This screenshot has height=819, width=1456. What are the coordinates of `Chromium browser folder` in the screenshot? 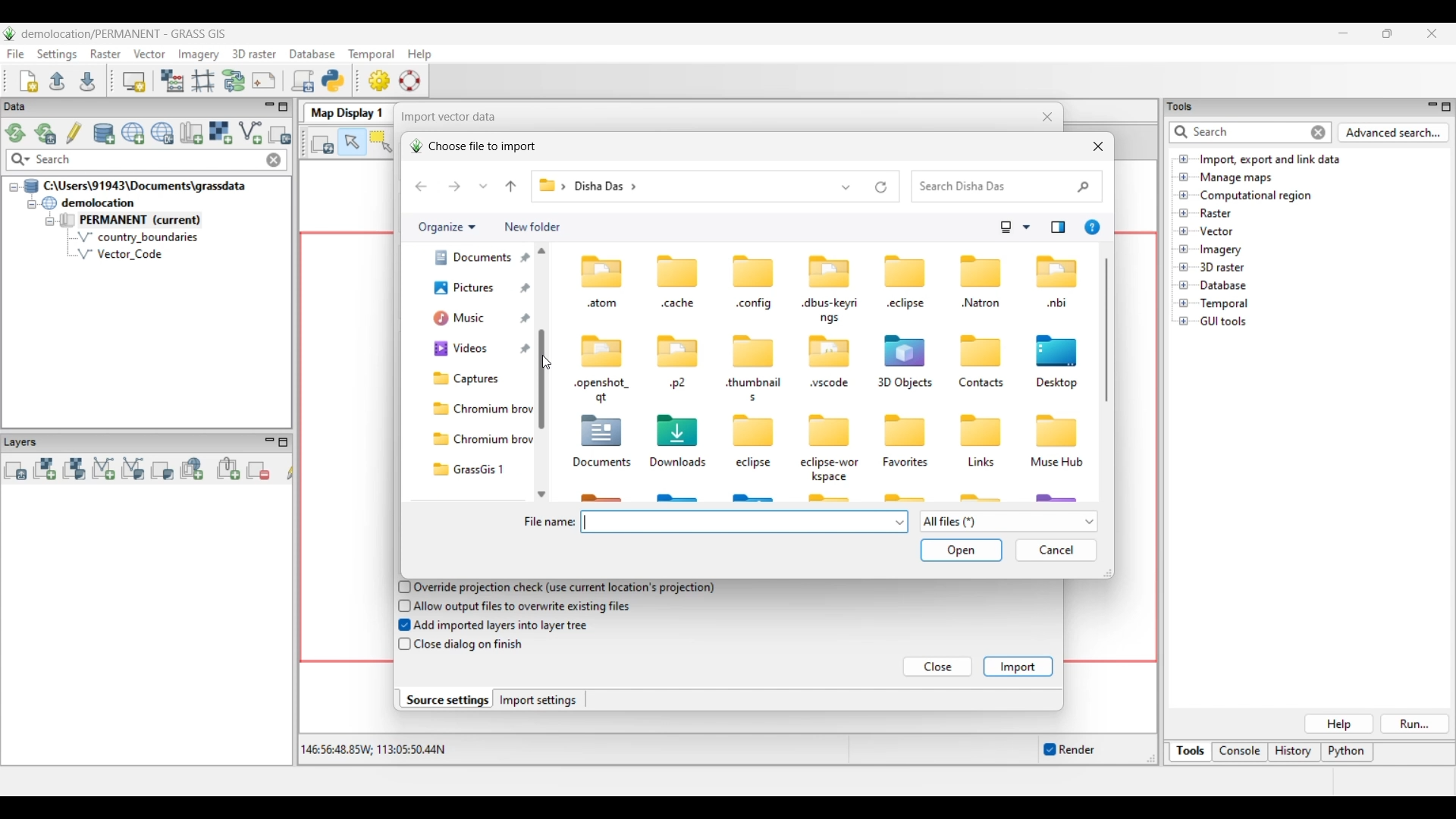 It's located at (479, 409).